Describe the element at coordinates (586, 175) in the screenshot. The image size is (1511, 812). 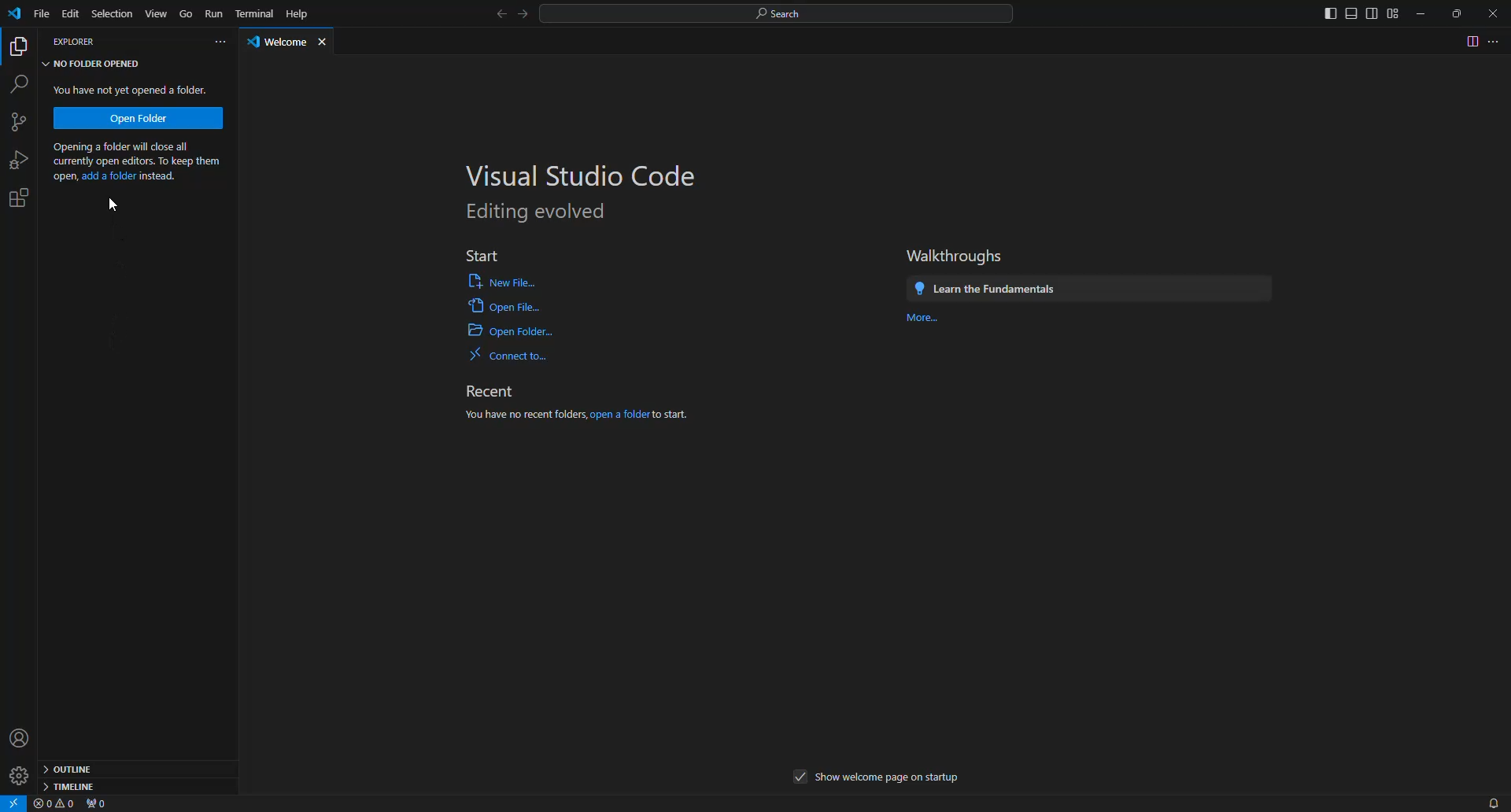
I see `visual studio code` at that location.